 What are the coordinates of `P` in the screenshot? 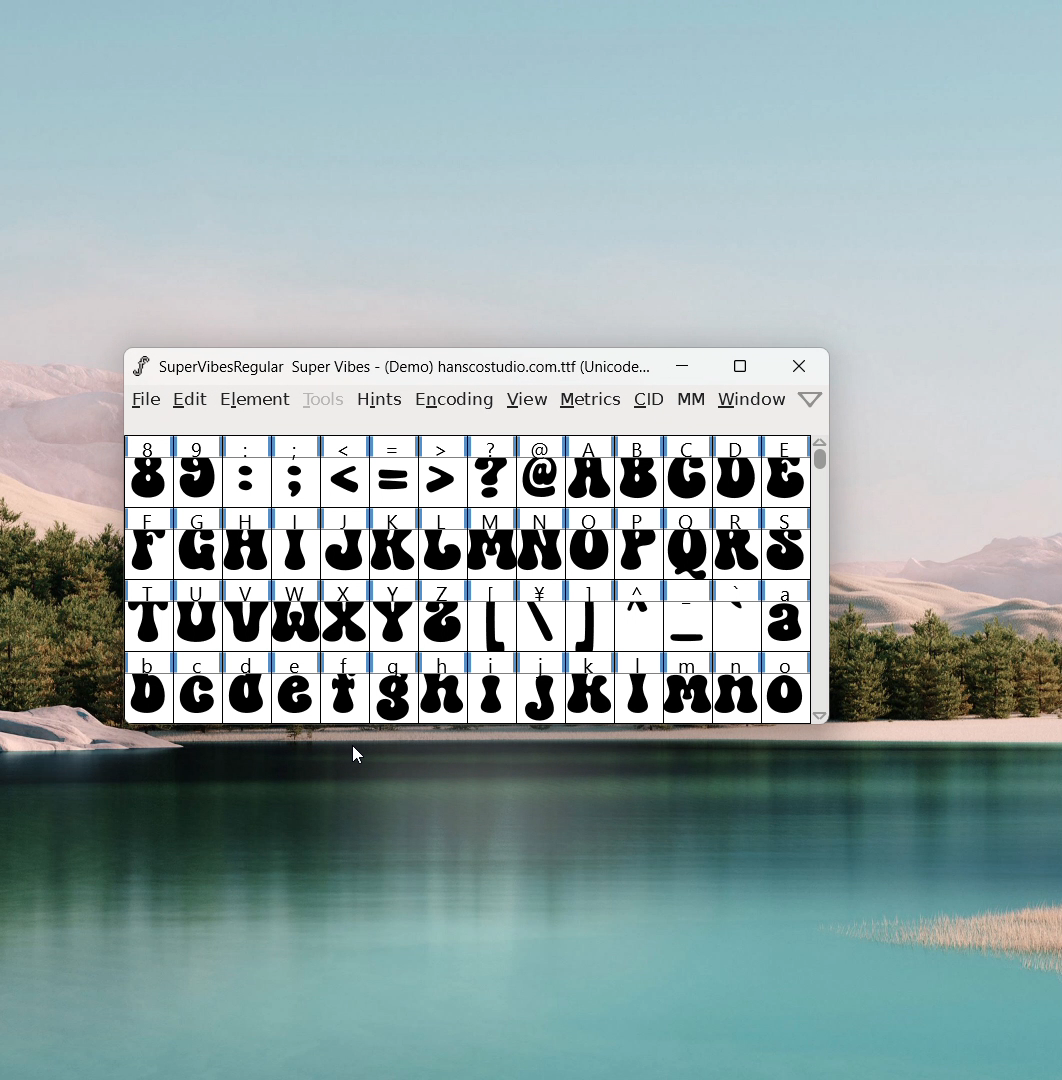 It's located at (638, 542).